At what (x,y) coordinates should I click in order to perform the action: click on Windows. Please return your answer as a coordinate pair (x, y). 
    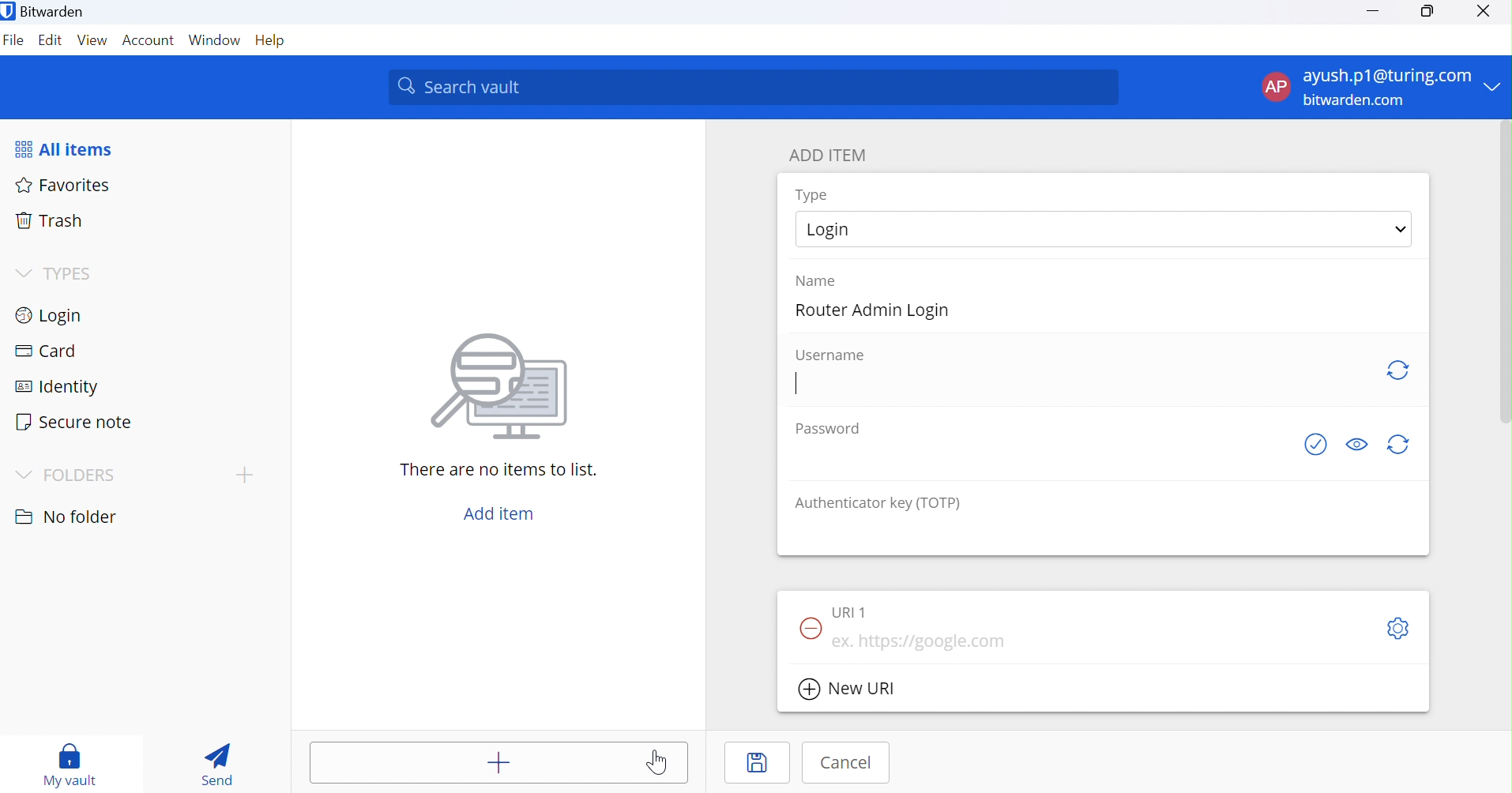
    Looking at the image, I should click on (215, 43).